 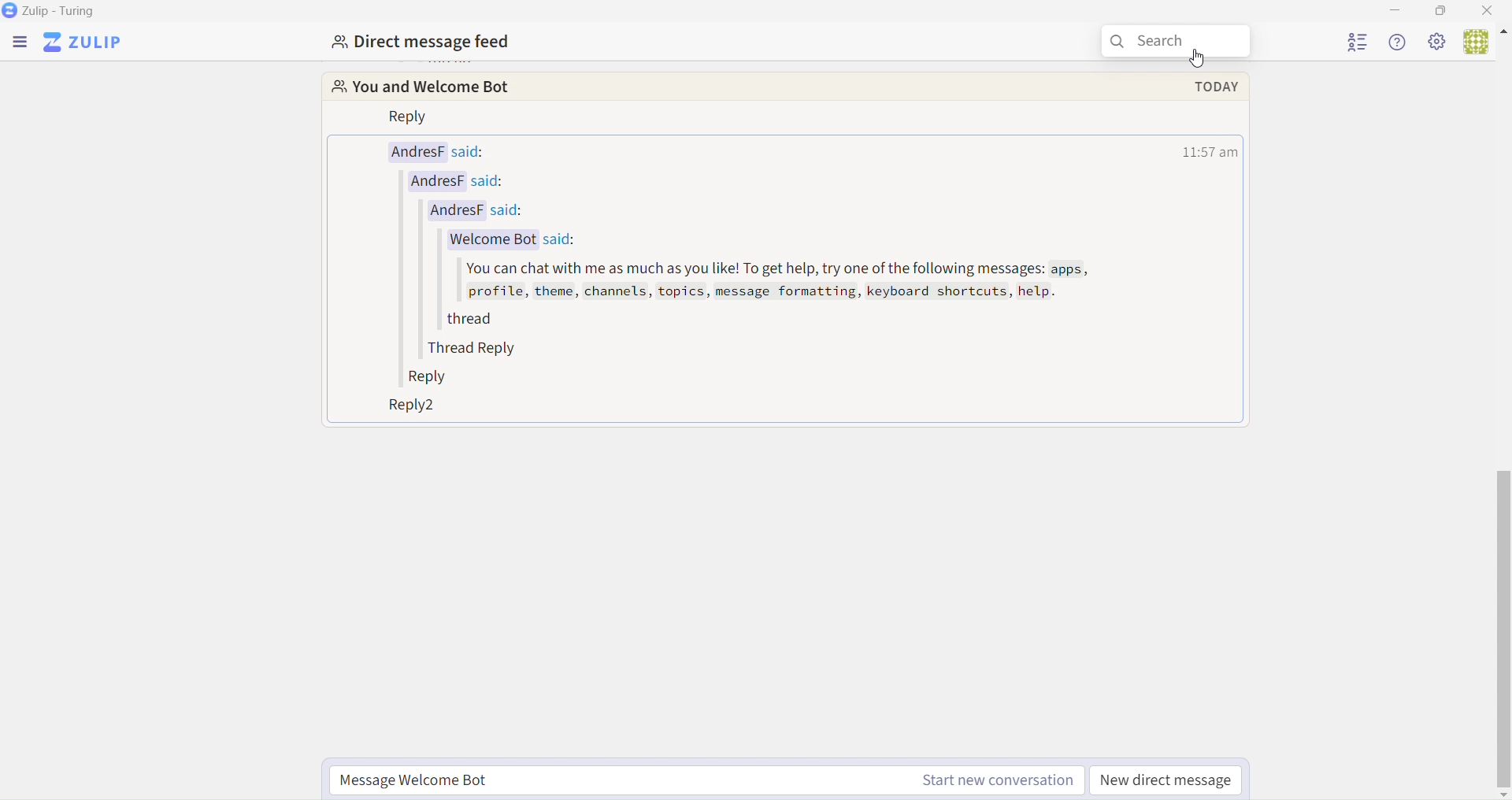 What do you see at coordinates (702, 777) in the screenshot?
I see `Message Welcome Bot` at bounding box center [702, 777].